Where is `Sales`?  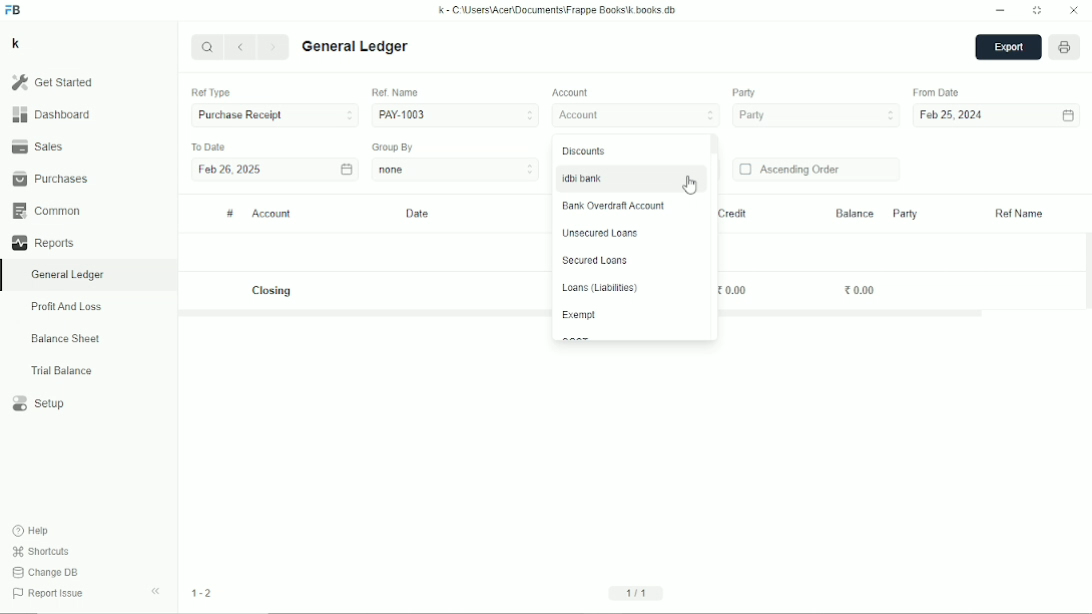
Sales is located at coordinates (37, 145).